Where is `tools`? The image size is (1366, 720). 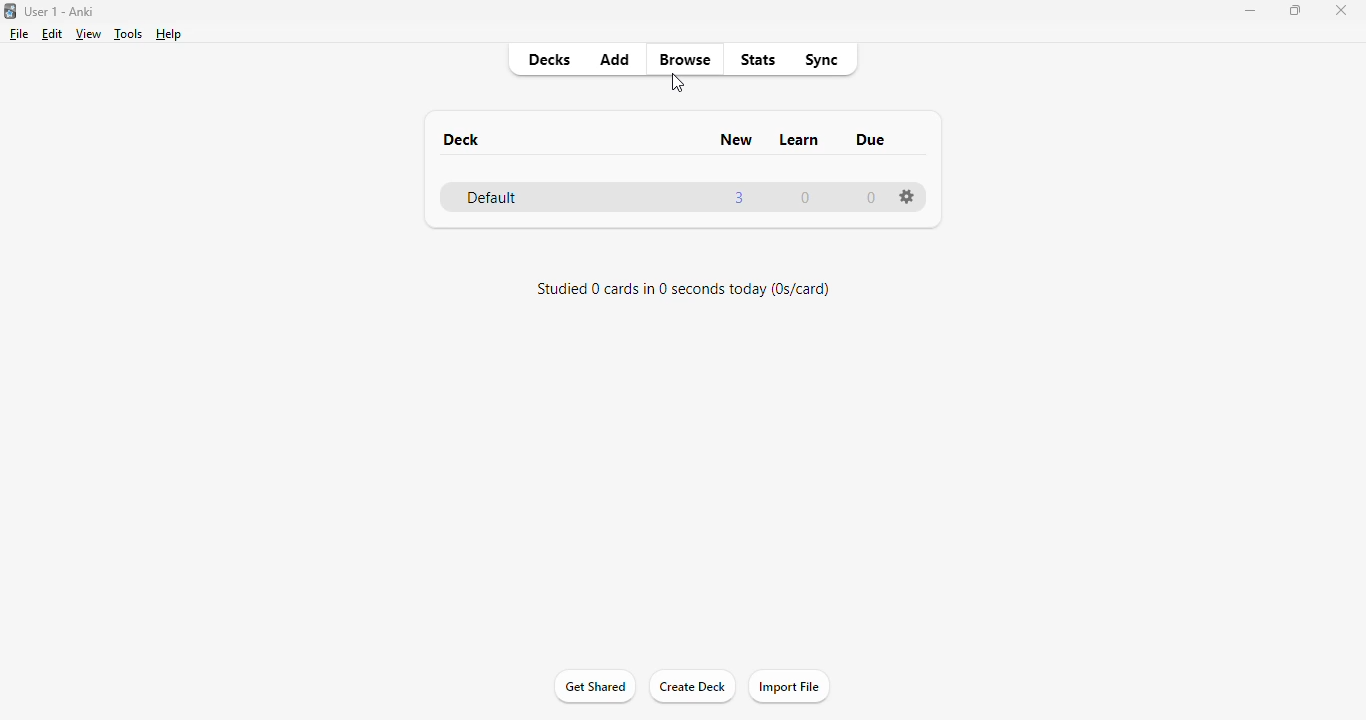
tools is located at coordinates (128, 33).